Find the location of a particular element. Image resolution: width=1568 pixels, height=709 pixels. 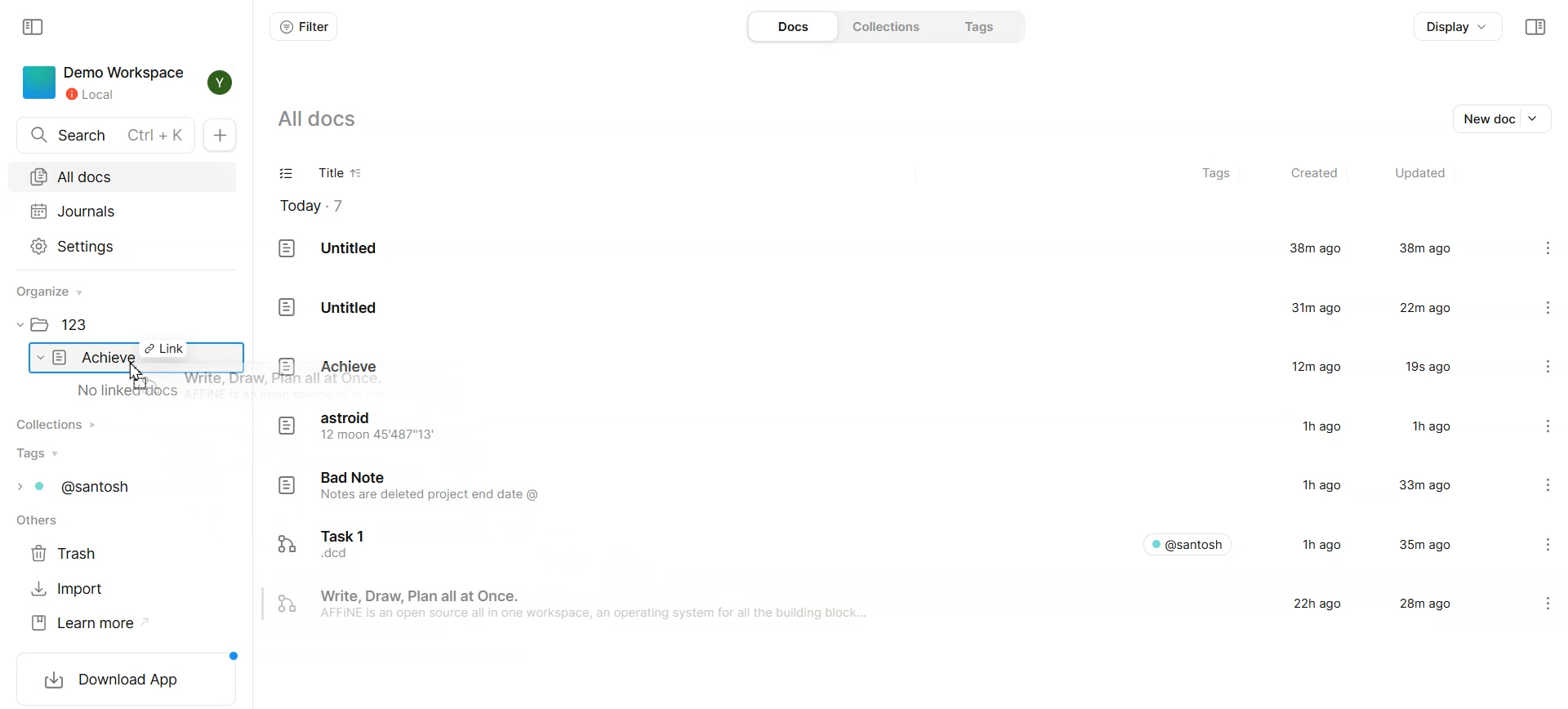

all docs is located at coordinates (328, 118).